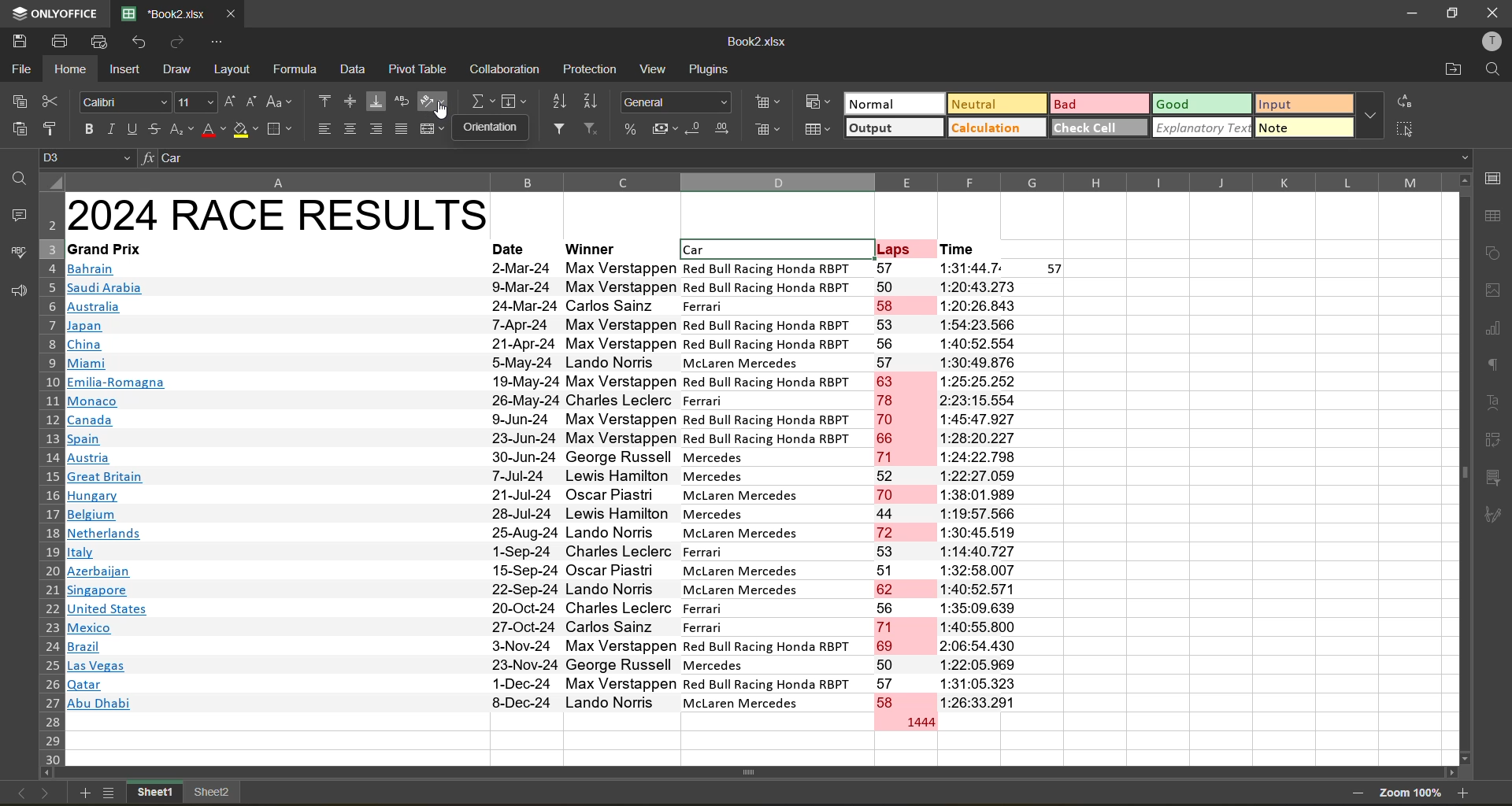  Describe the element at coordinates (401, 130) in the screenshot. I see `justified` at that location.